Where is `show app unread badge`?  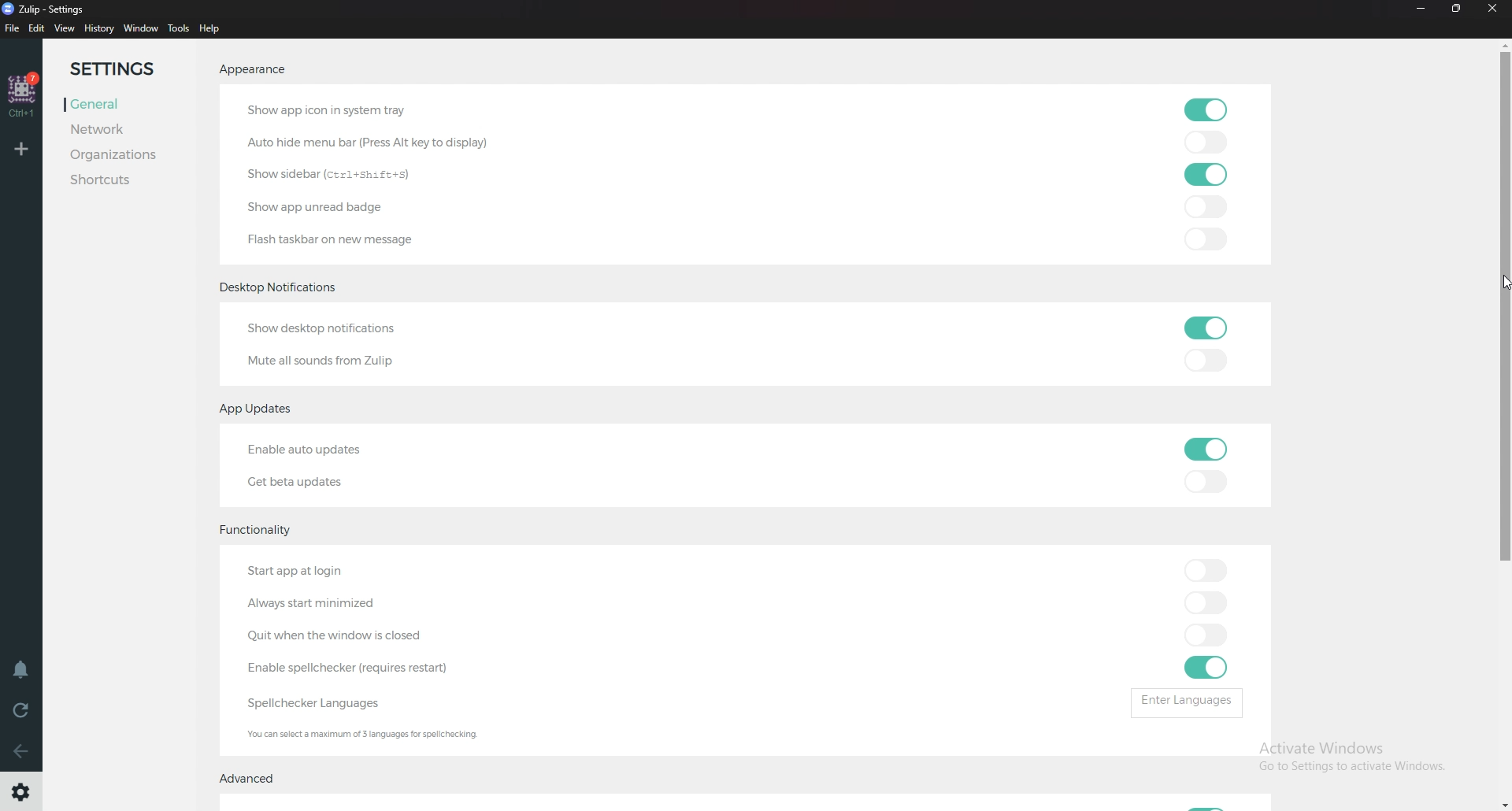
show app unread badge is located at coordinates (324, 204).